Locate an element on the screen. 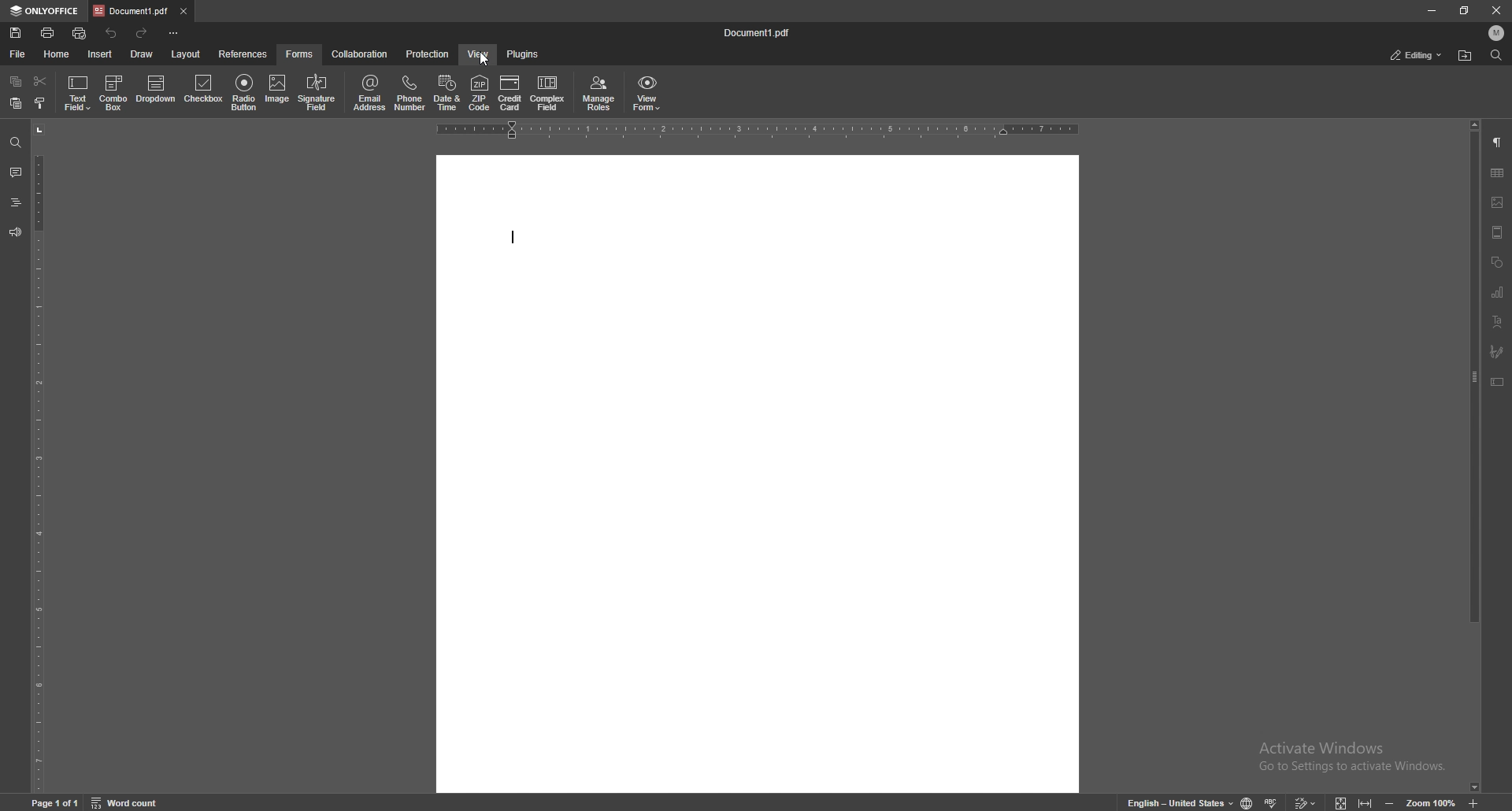 This screenshot has width=1512, height=811. quick print is located at coordinates (80, 34).